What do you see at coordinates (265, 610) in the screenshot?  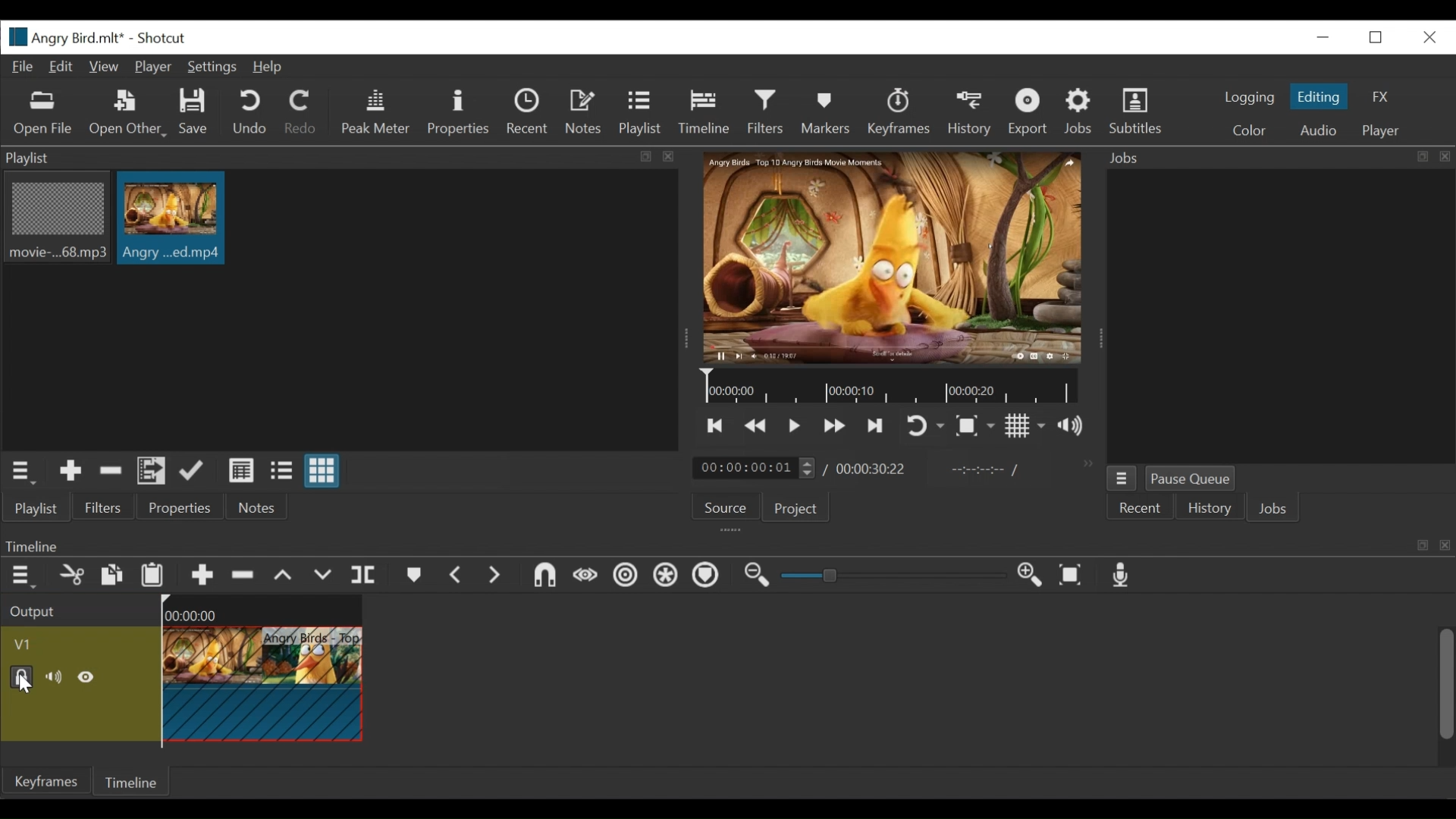 I see `Timeline` at bounding box center [265, 610].